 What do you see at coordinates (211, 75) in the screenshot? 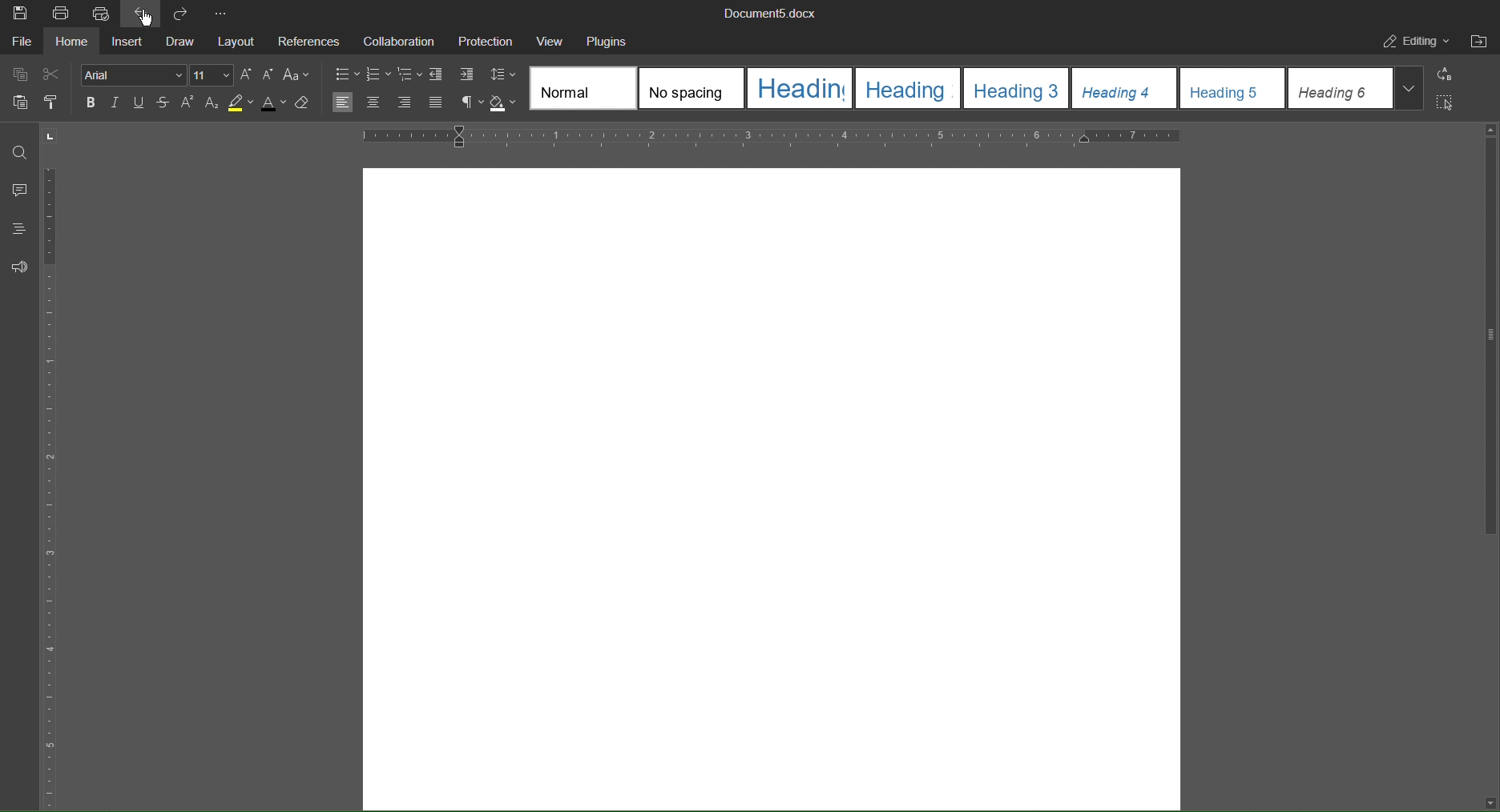
I see `Font size` at bounding box center [211, 75].